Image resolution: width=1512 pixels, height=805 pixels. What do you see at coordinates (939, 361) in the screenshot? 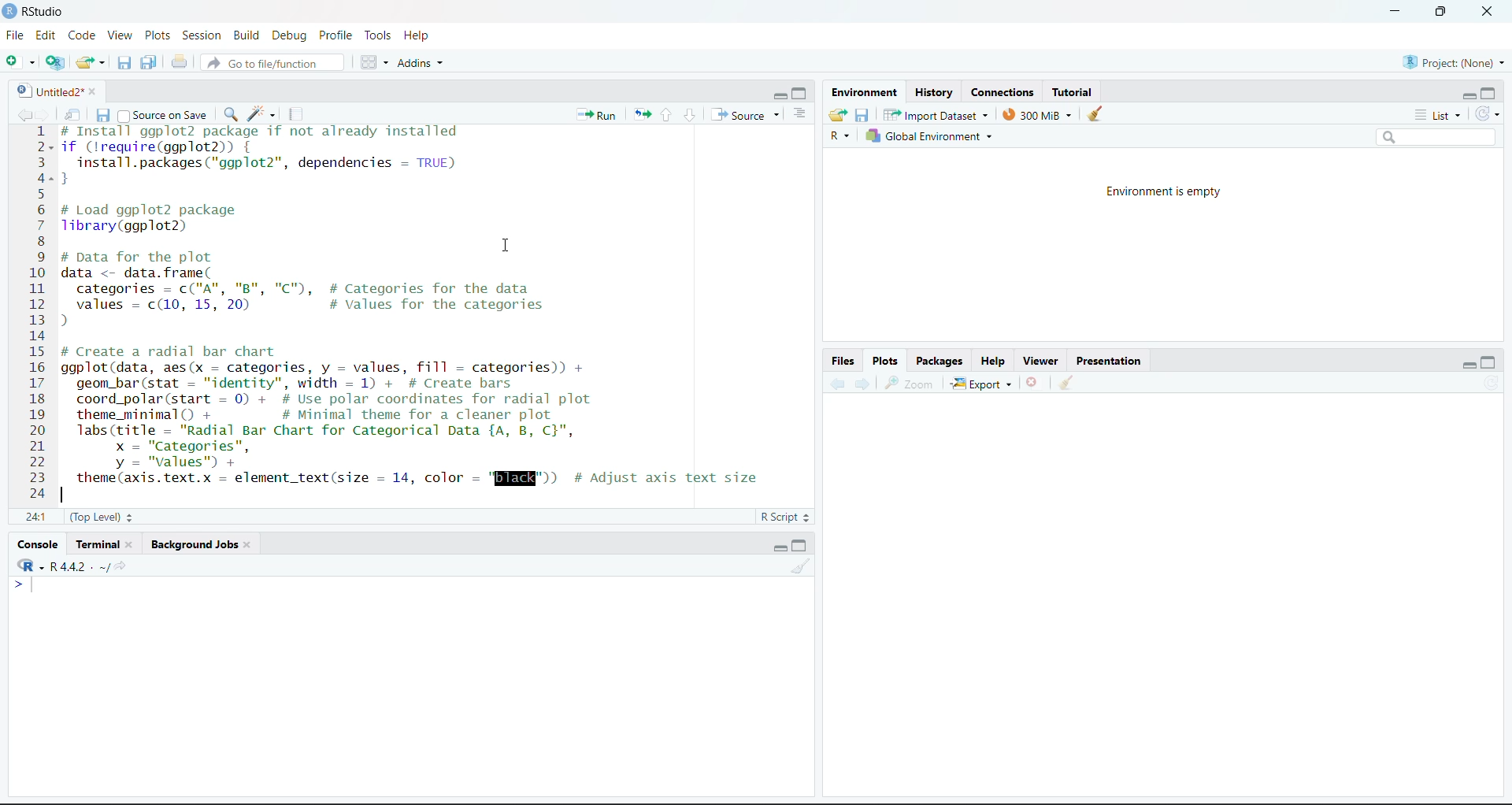
I see `Packages` at bounding box center [939, 361].